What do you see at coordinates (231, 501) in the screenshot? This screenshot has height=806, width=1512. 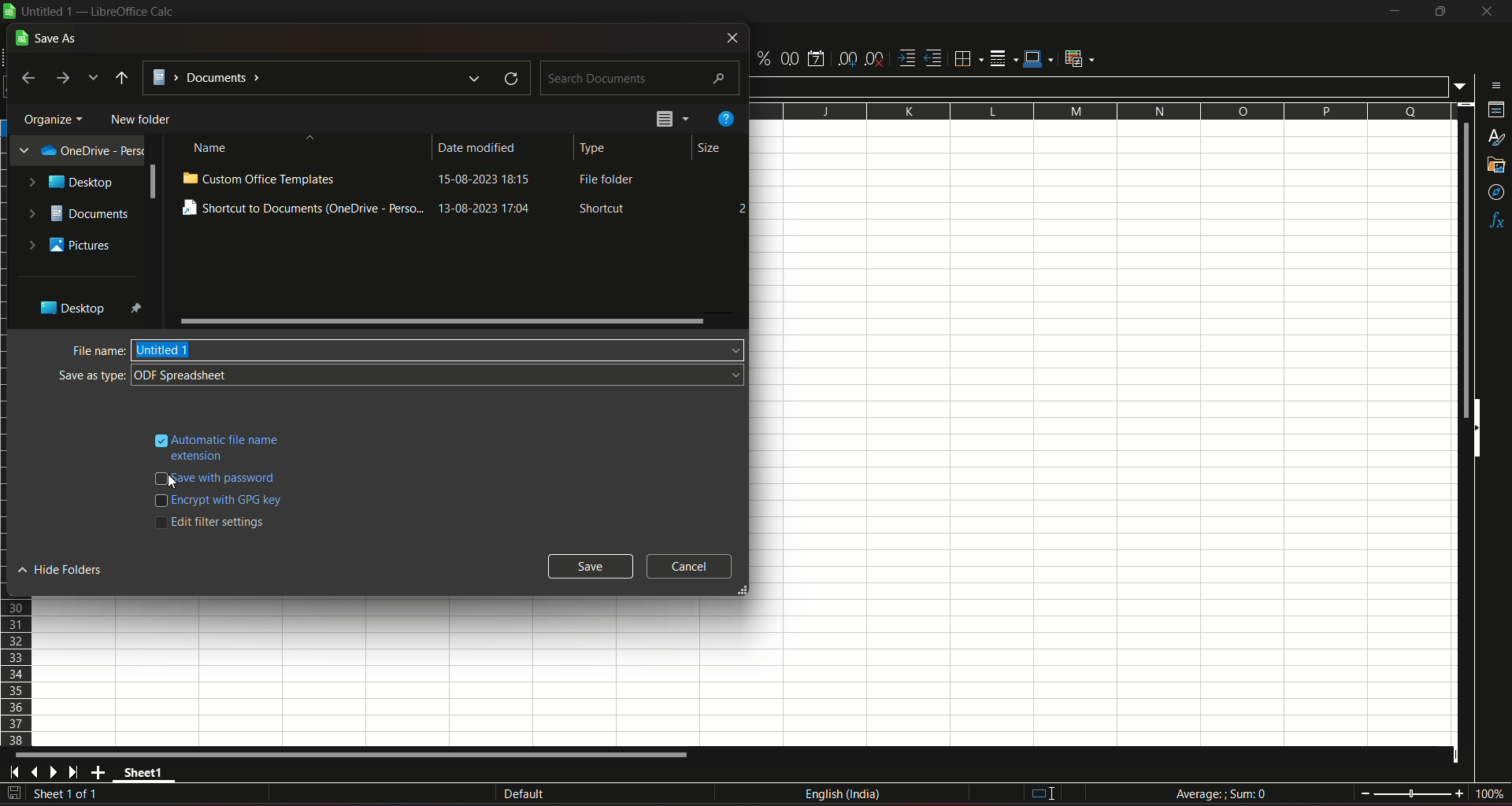 I see `encrypt with GPG key` at bounding box center [231, 501].